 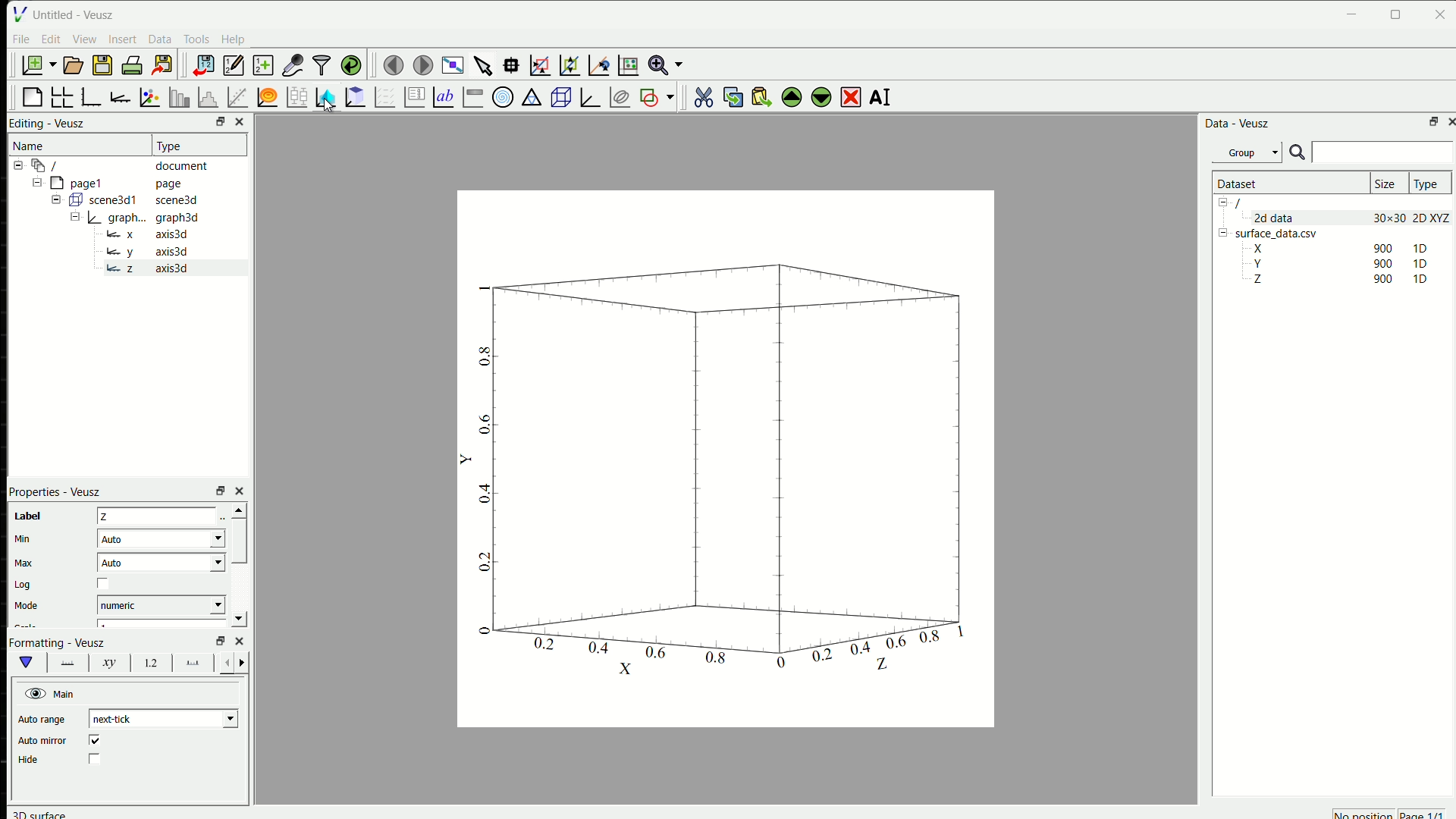 What do you see at coordinates (57, 643) in the screenshot?
I see `Formatting - Veusz` at bounding box center [57, 643].